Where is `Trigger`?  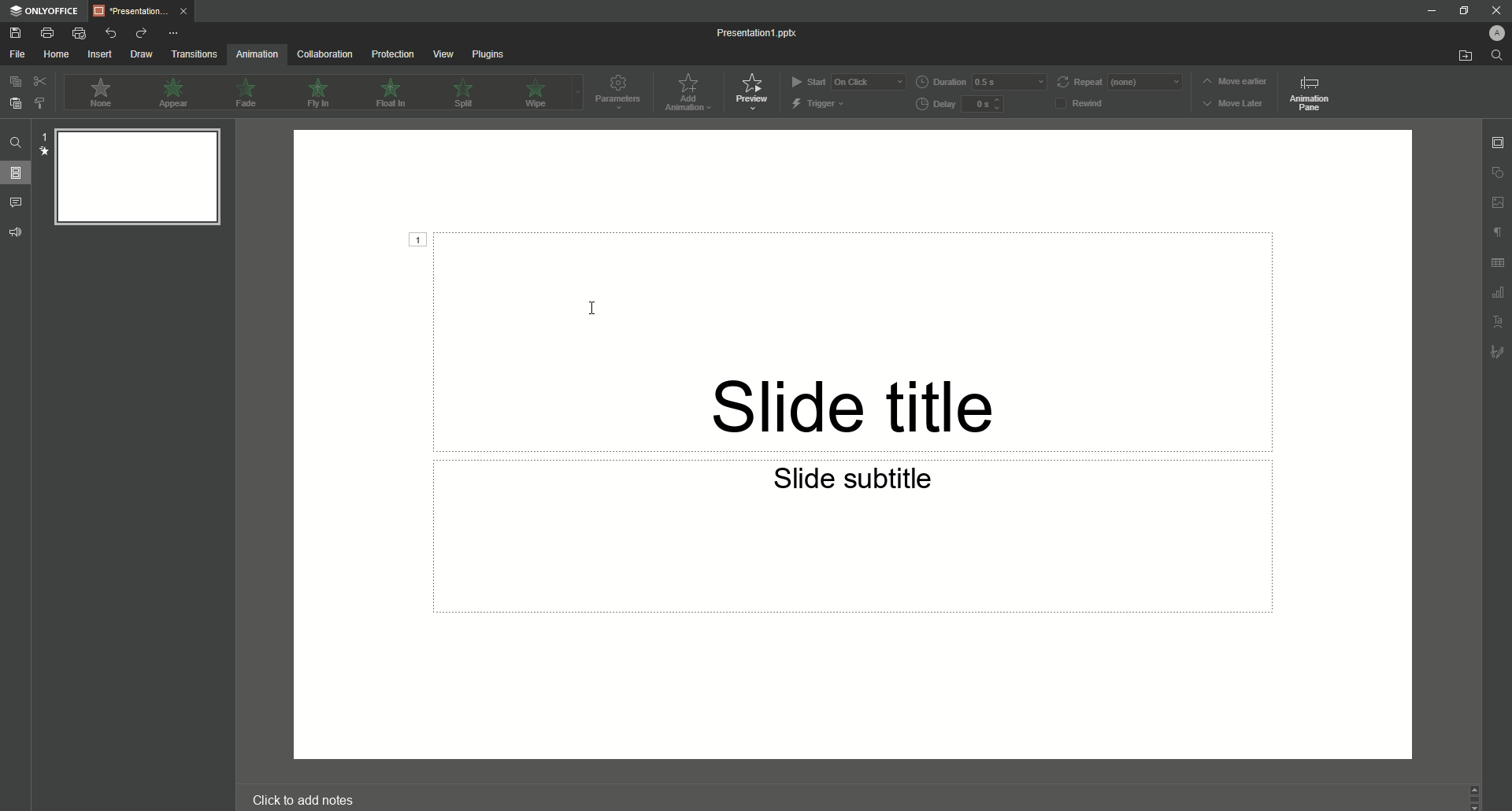
Trigger is located at coordinates (819, 103).